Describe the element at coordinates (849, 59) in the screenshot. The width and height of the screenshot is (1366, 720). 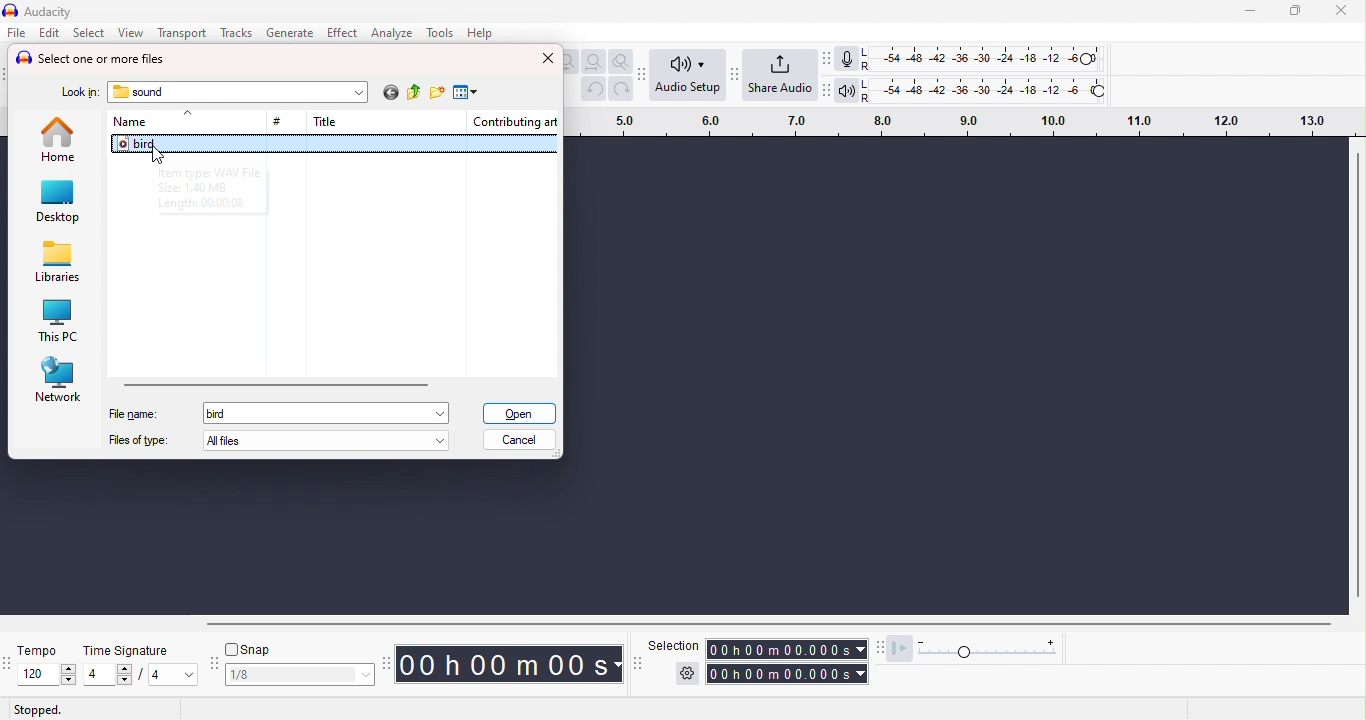
I see `record meter` at that location.